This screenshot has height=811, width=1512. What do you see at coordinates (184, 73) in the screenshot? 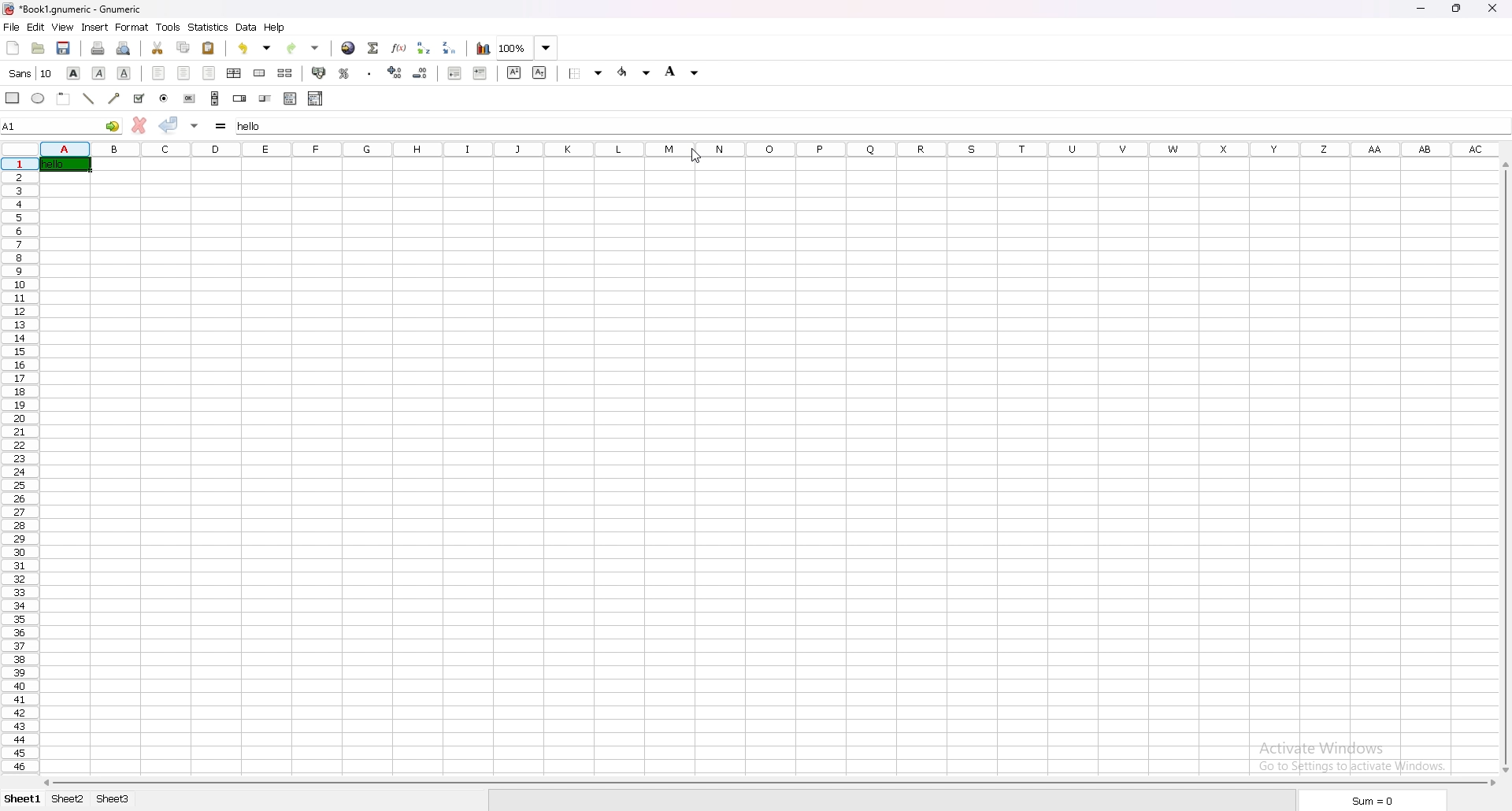
I see `centre` at bounding box center [184, 73].